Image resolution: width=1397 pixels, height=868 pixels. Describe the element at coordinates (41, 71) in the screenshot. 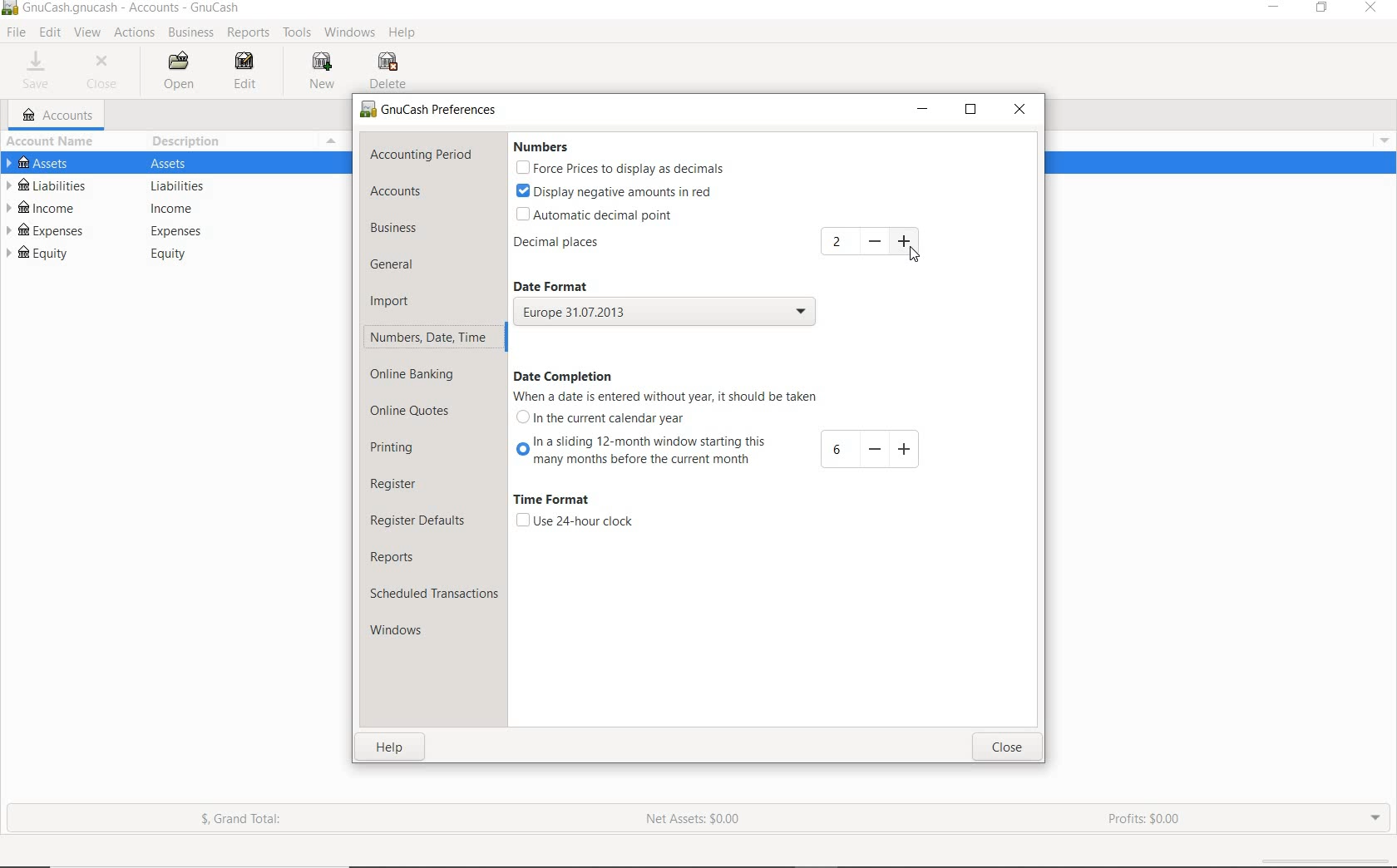

I see `SAVE` at that location.